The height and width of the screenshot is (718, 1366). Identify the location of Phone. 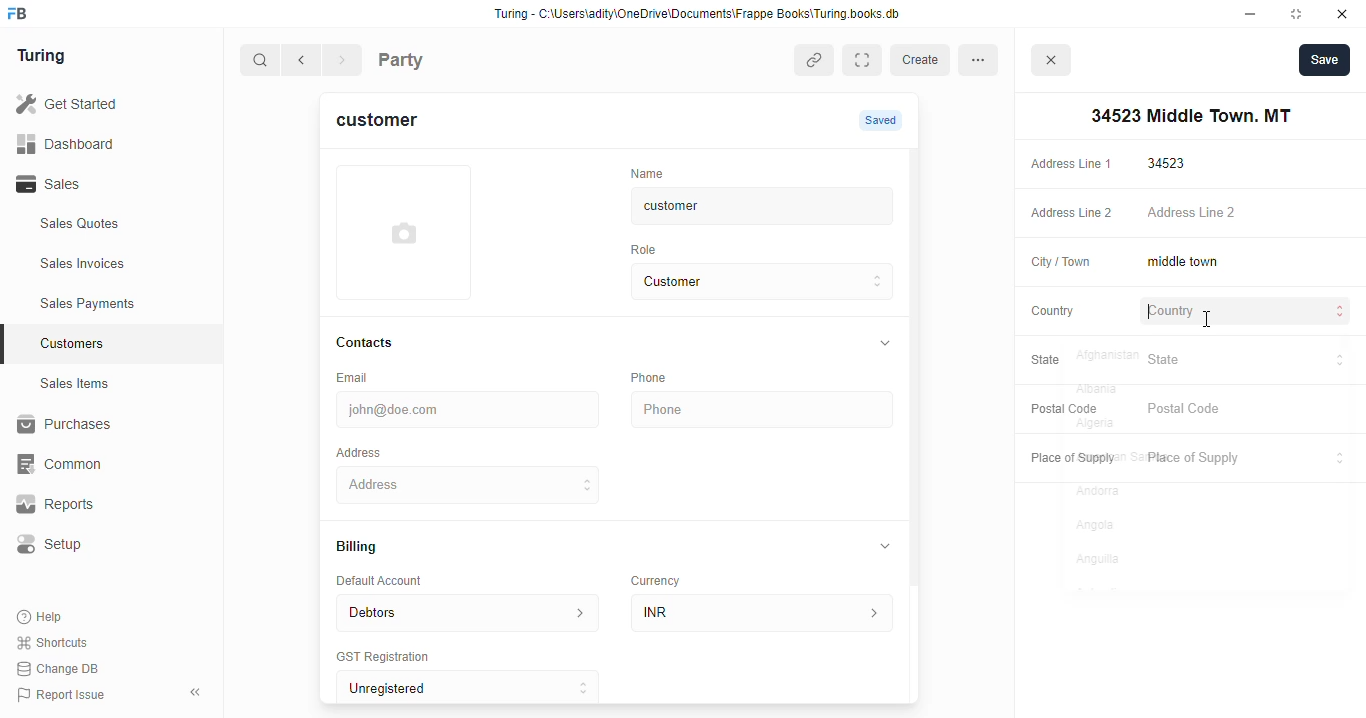
(765, 410).